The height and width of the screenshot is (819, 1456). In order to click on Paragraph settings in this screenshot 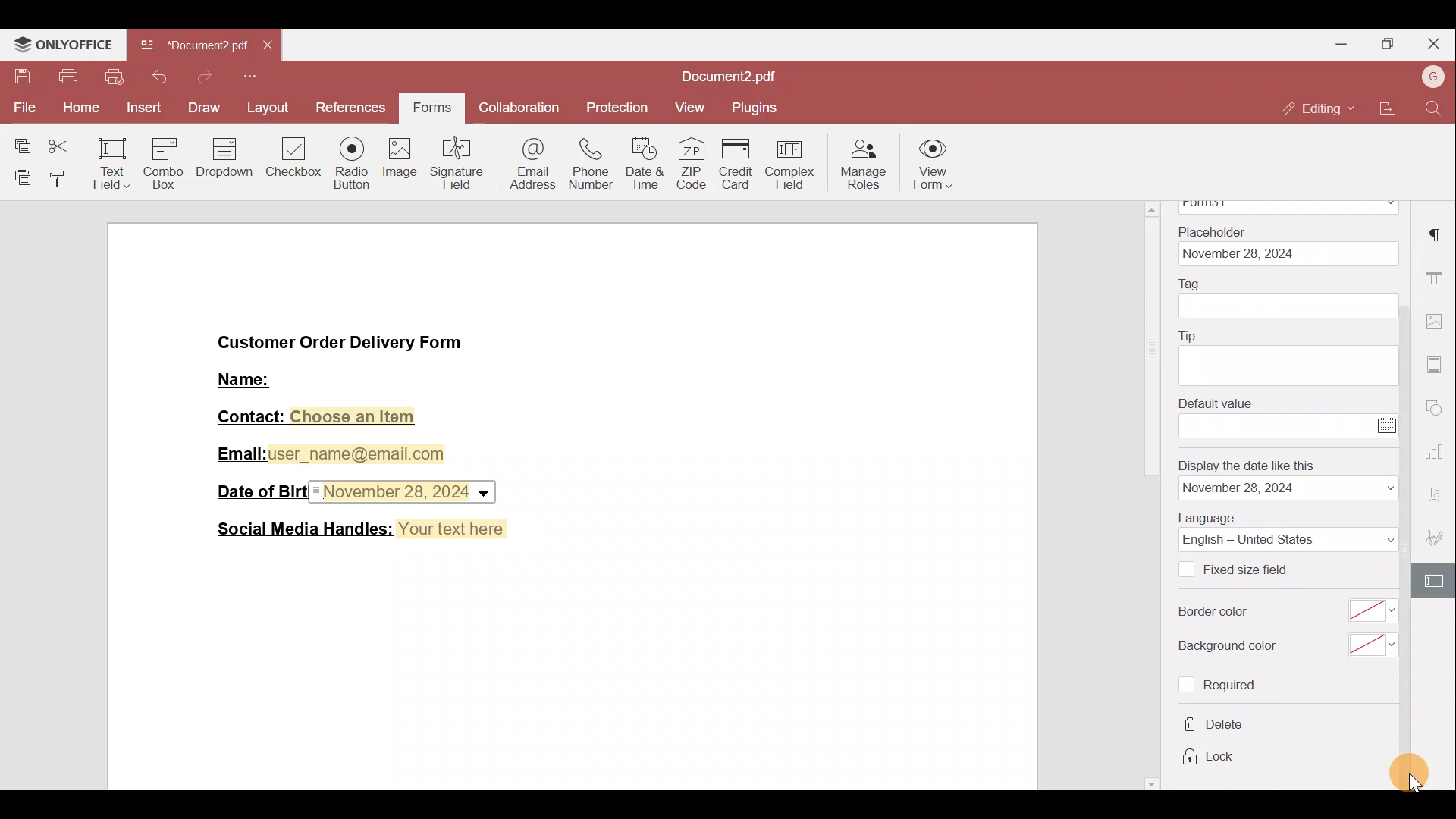, I will do `click(1439, 234)`.